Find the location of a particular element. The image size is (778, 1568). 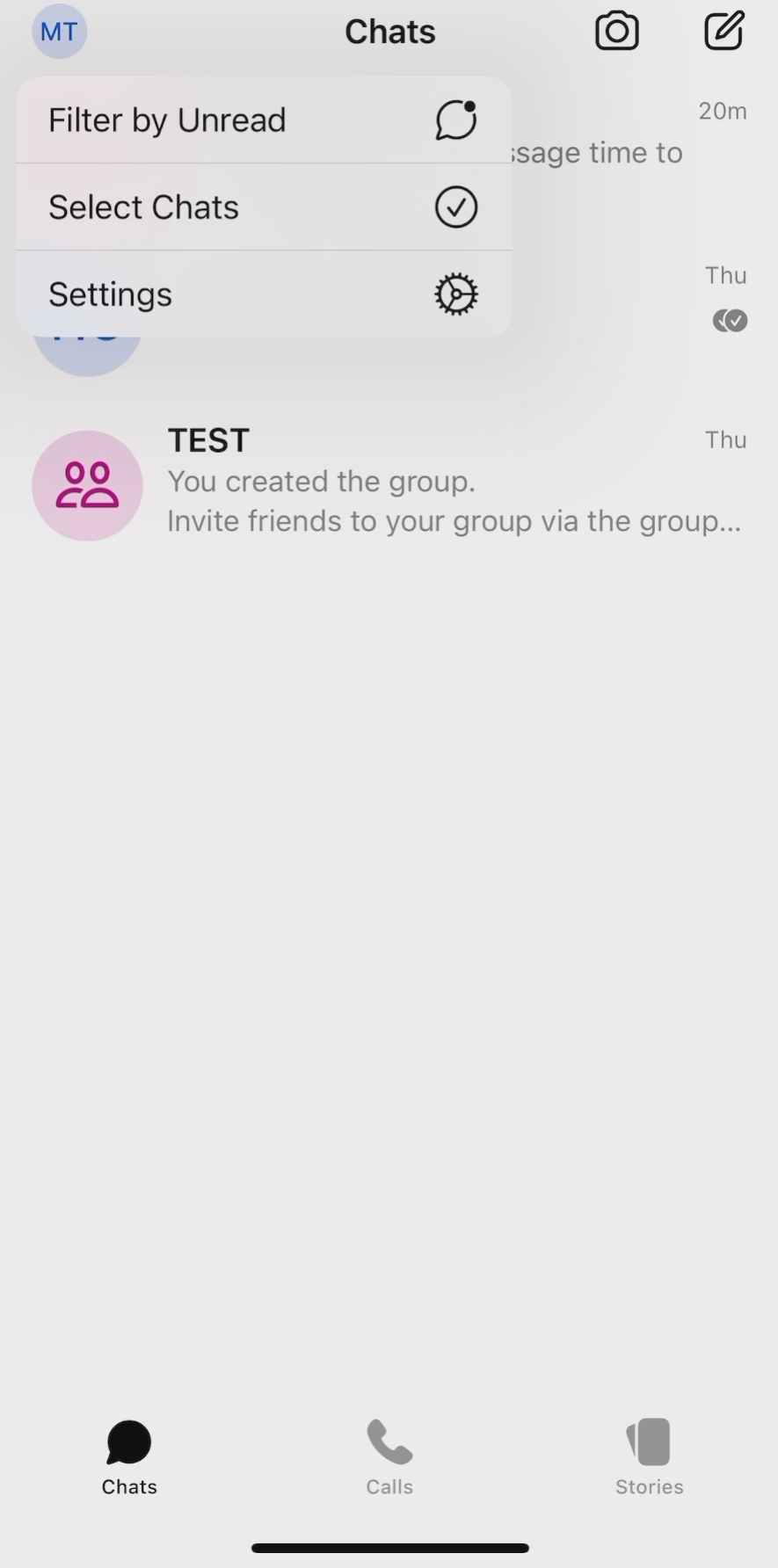

stories is located at coordinates (652, 1461).